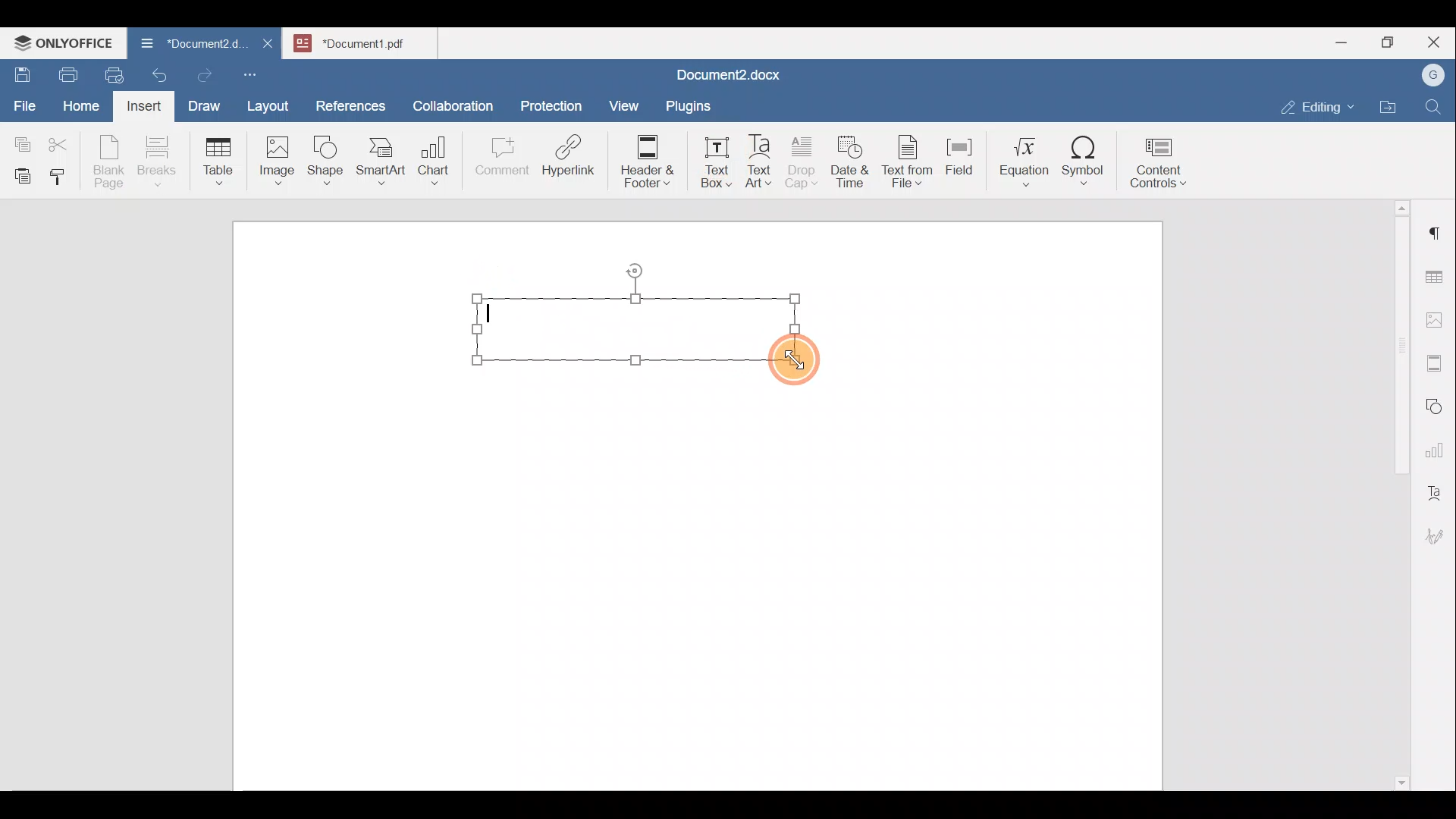  Describe the element at coordinates (156, 73) in the screenshot. I see `Undo` at that location.